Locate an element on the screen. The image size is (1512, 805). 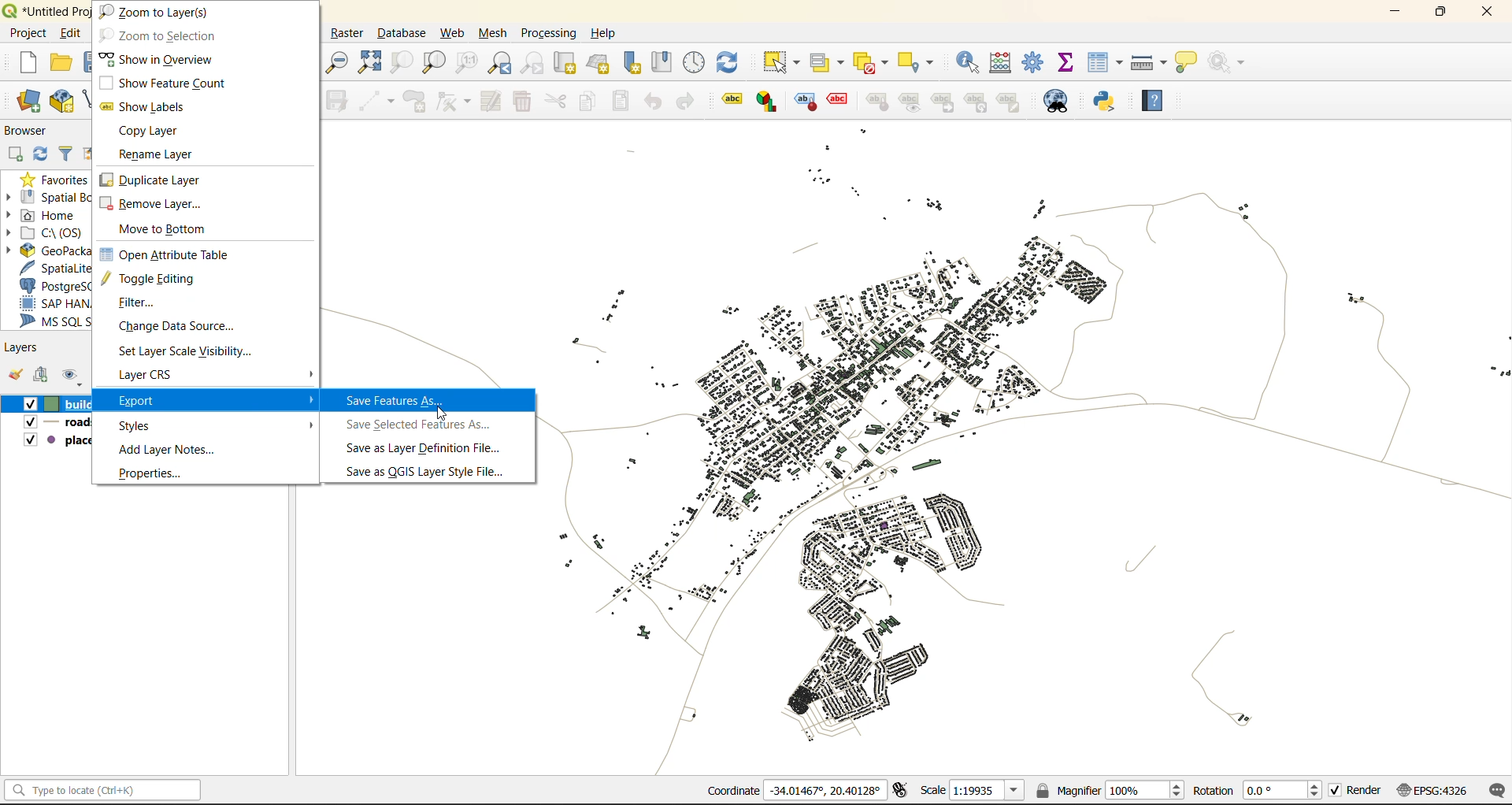
python is located at coordinates (1109, 101).